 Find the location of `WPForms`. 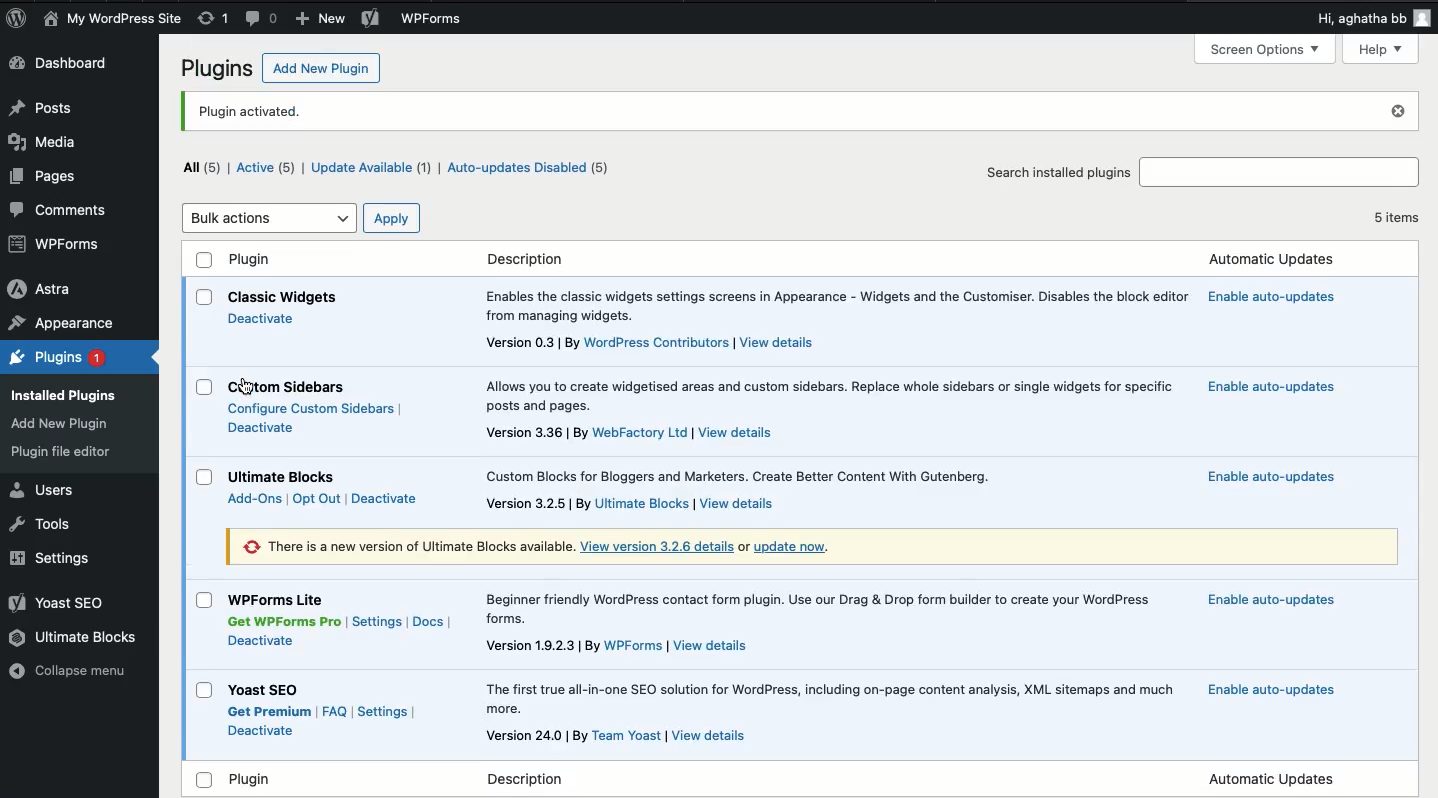

WPForms is located at coordinates (433, 20).